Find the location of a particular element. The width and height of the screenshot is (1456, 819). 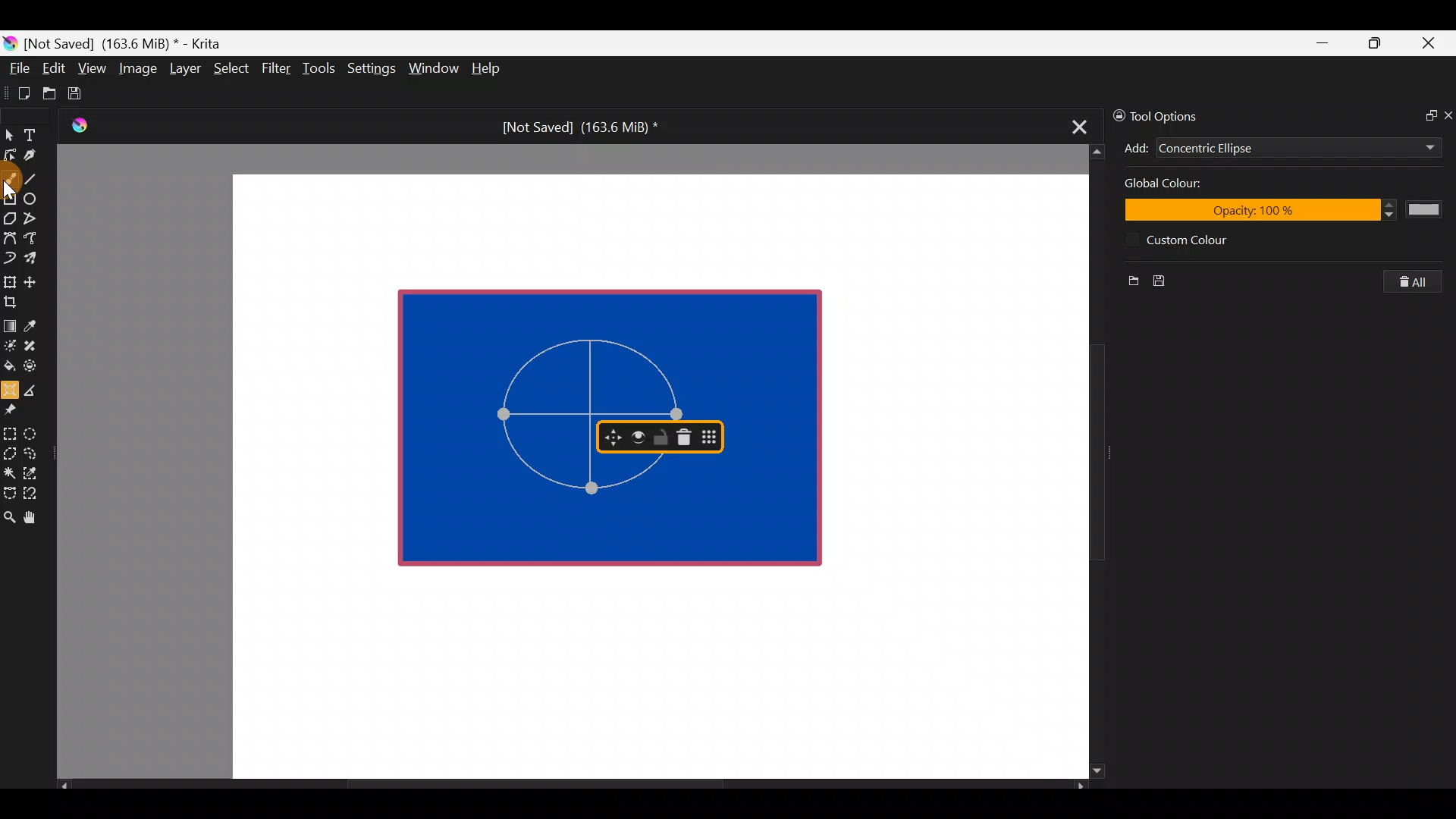

Sample a colour from the image/current layer is located at coordinates (36, 324).